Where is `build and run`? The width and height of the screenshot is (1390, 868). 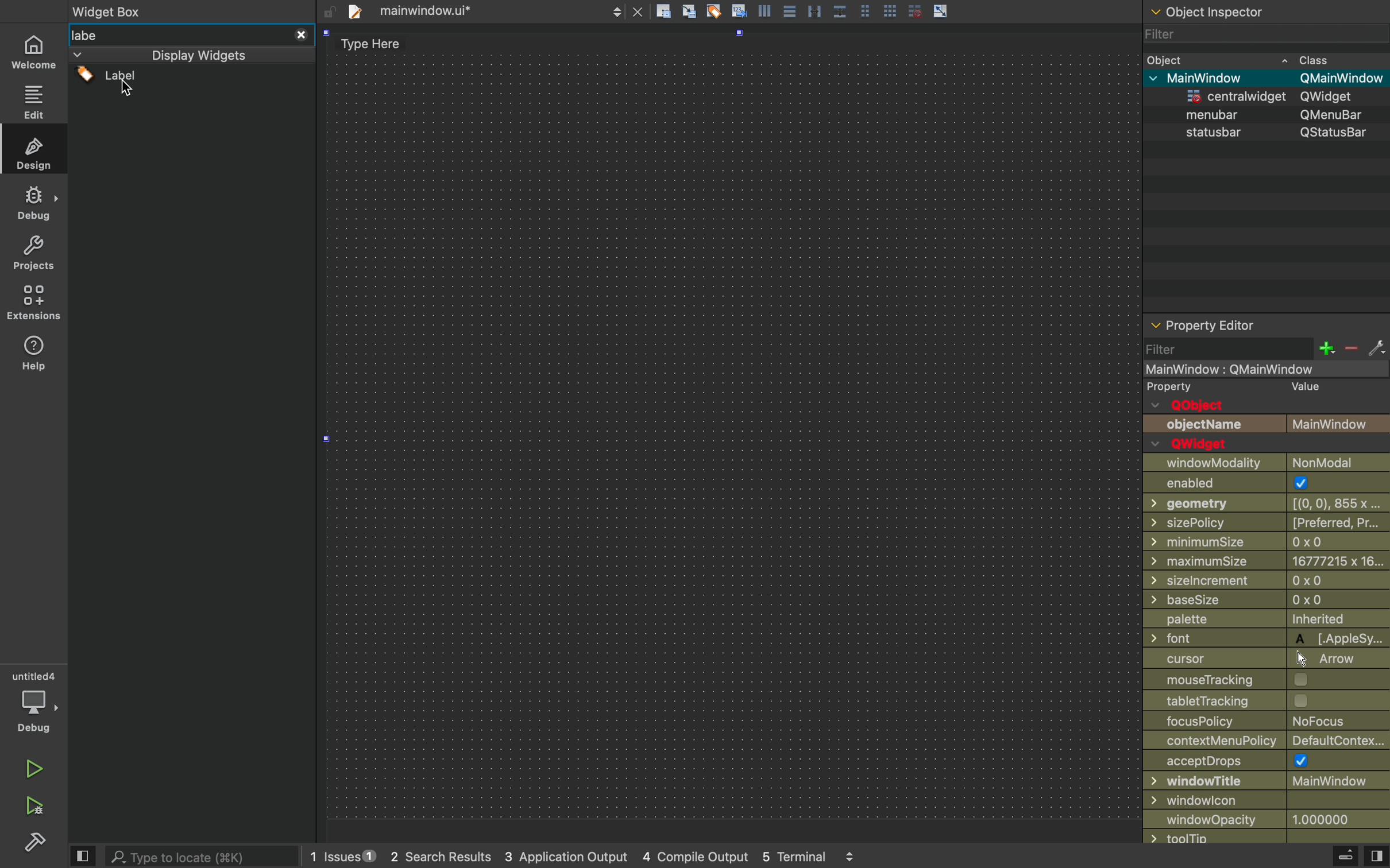
build and run is located at coordinates (33, 805).